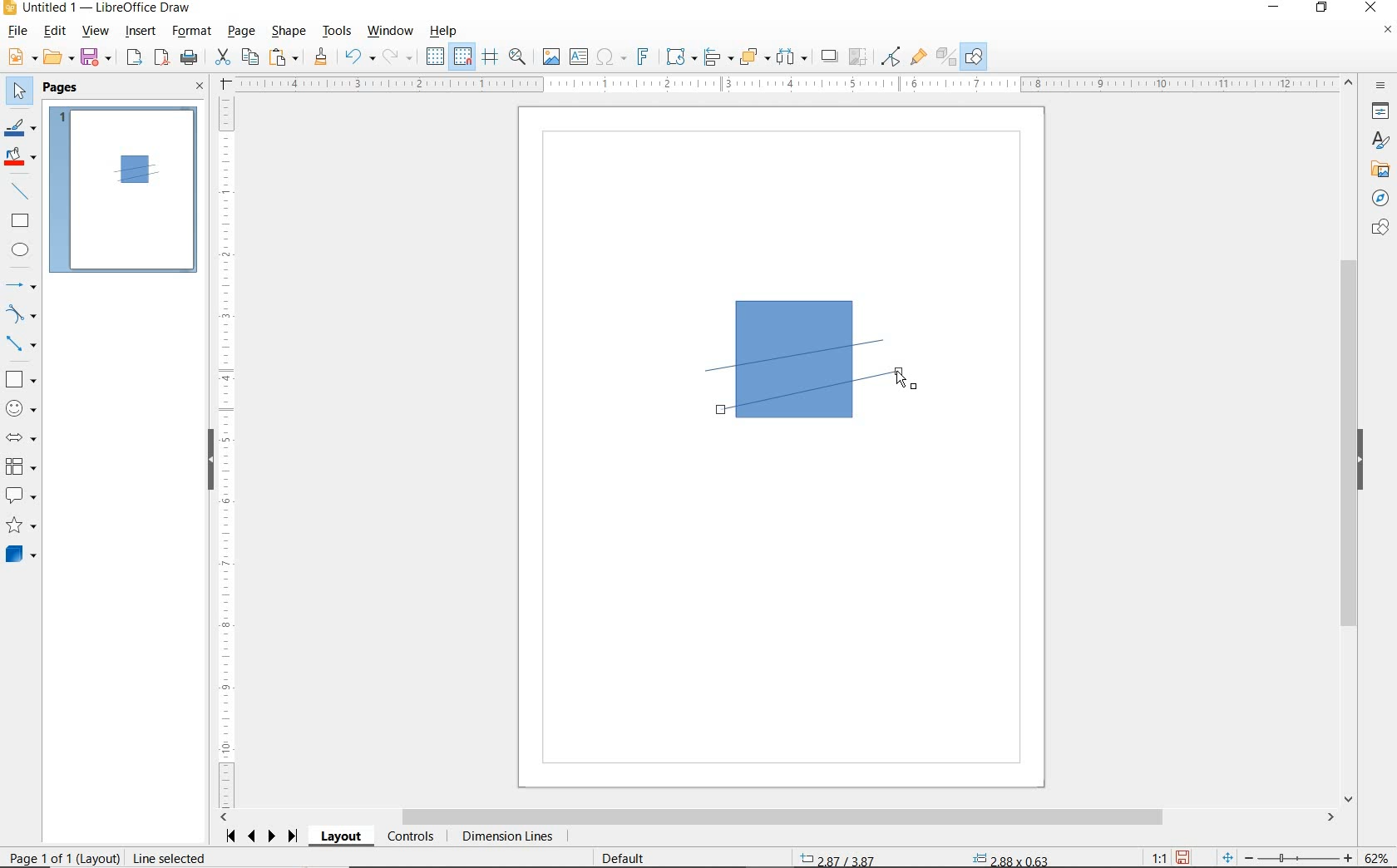  Describe the element at coordinates (437, 57) in the screenshot. I see `DISPLAY GRID` at that location.